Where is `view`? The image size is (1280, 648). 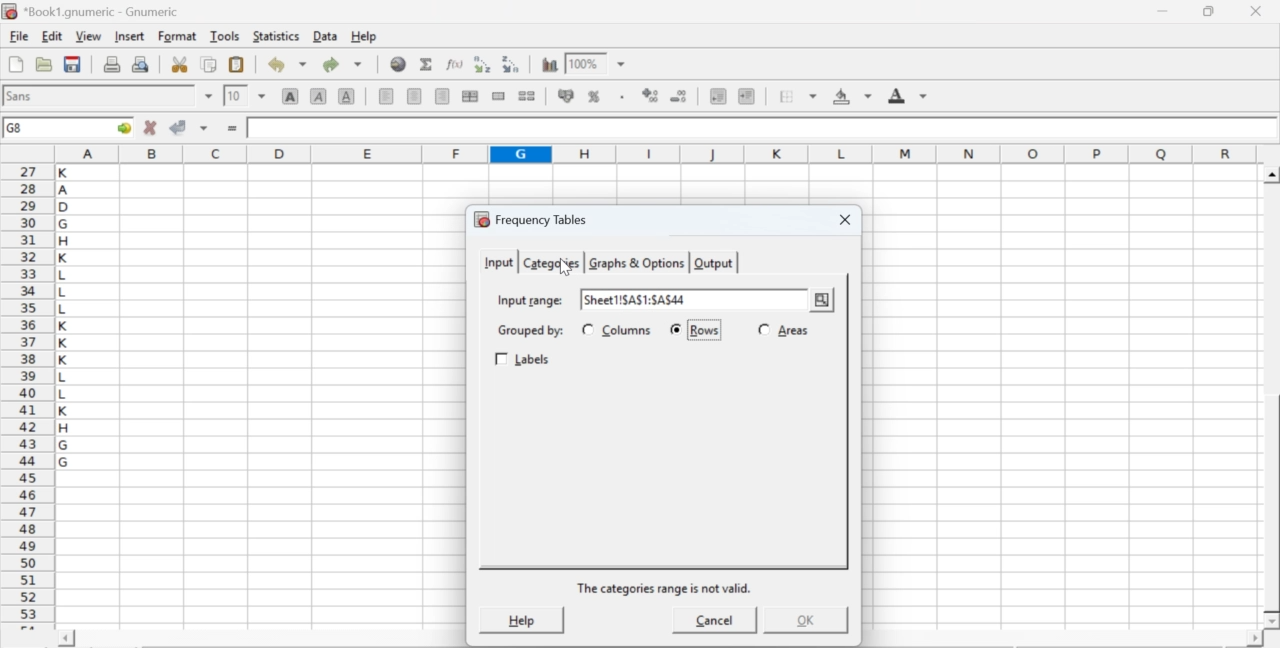
view is located at coordinates (88, 35).